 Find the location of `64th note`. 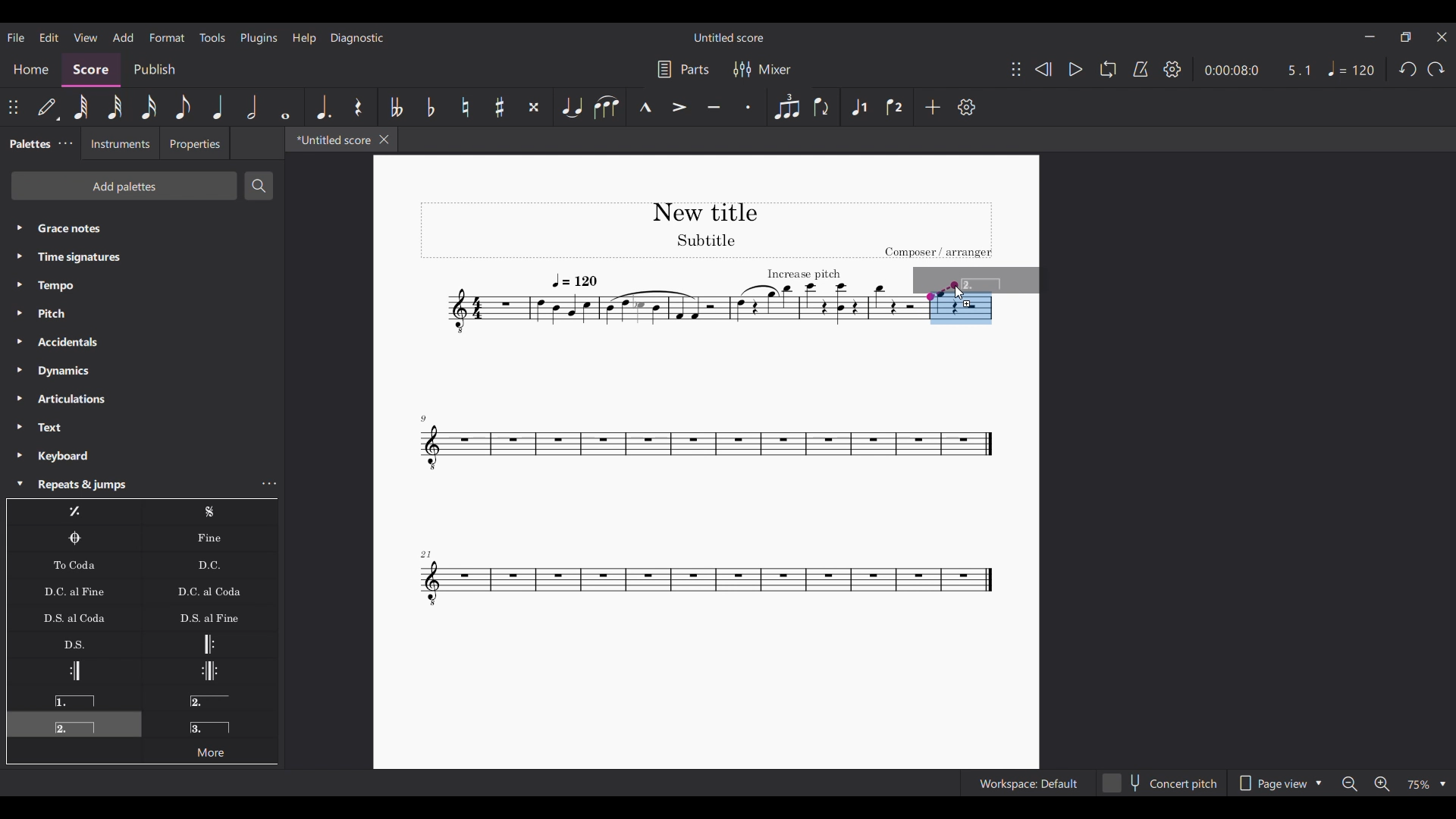

64th note is located at coordinates (80, 108).